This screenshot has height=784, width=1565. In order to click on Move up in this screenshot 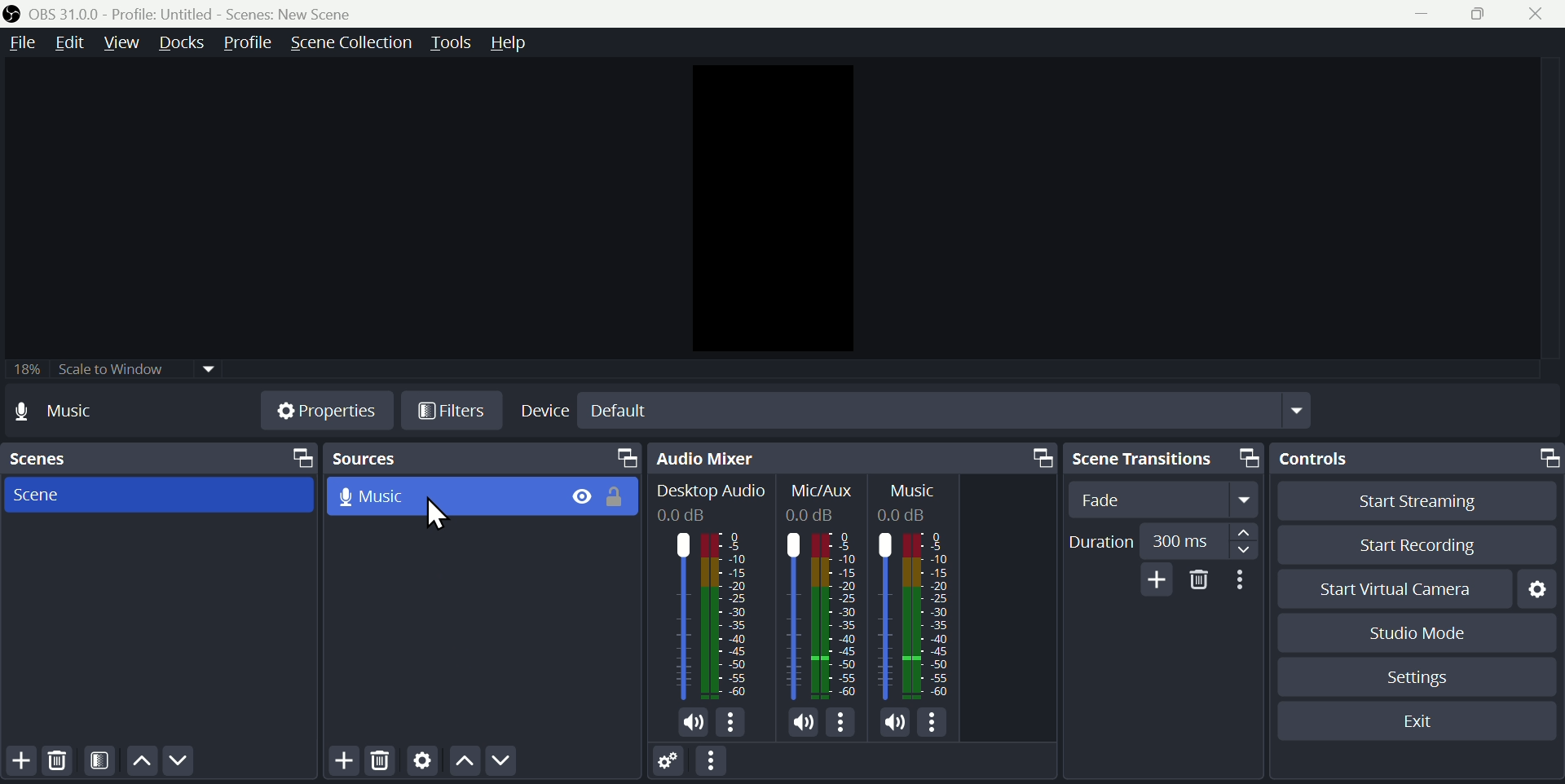, I will do `click(142, 760)`.